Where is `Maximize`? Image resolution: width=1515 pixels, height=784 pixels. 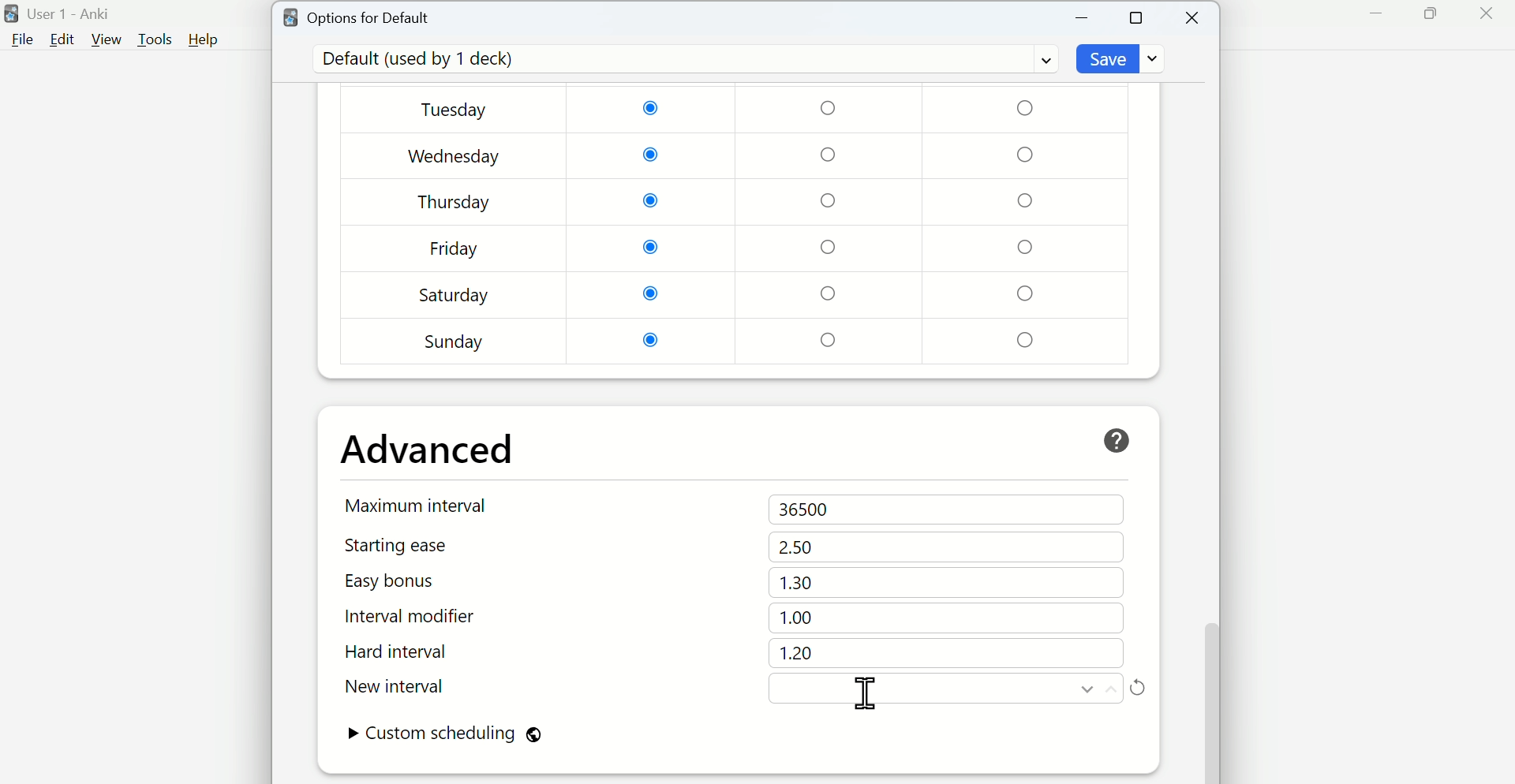
Maximize is located at coordinates (1137, 17).